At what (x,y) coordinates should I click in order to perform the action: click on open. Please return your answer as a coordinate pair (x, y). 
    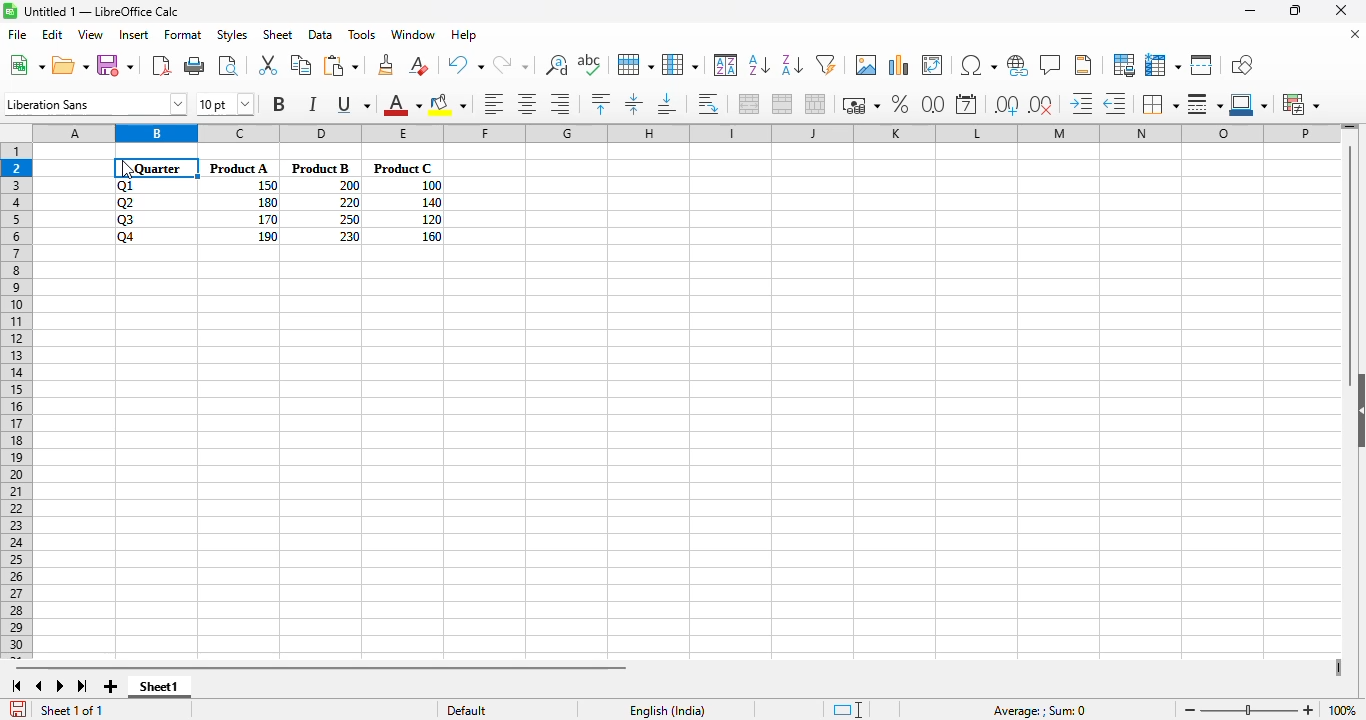
    Looking at the image, I should click on (70, 65).